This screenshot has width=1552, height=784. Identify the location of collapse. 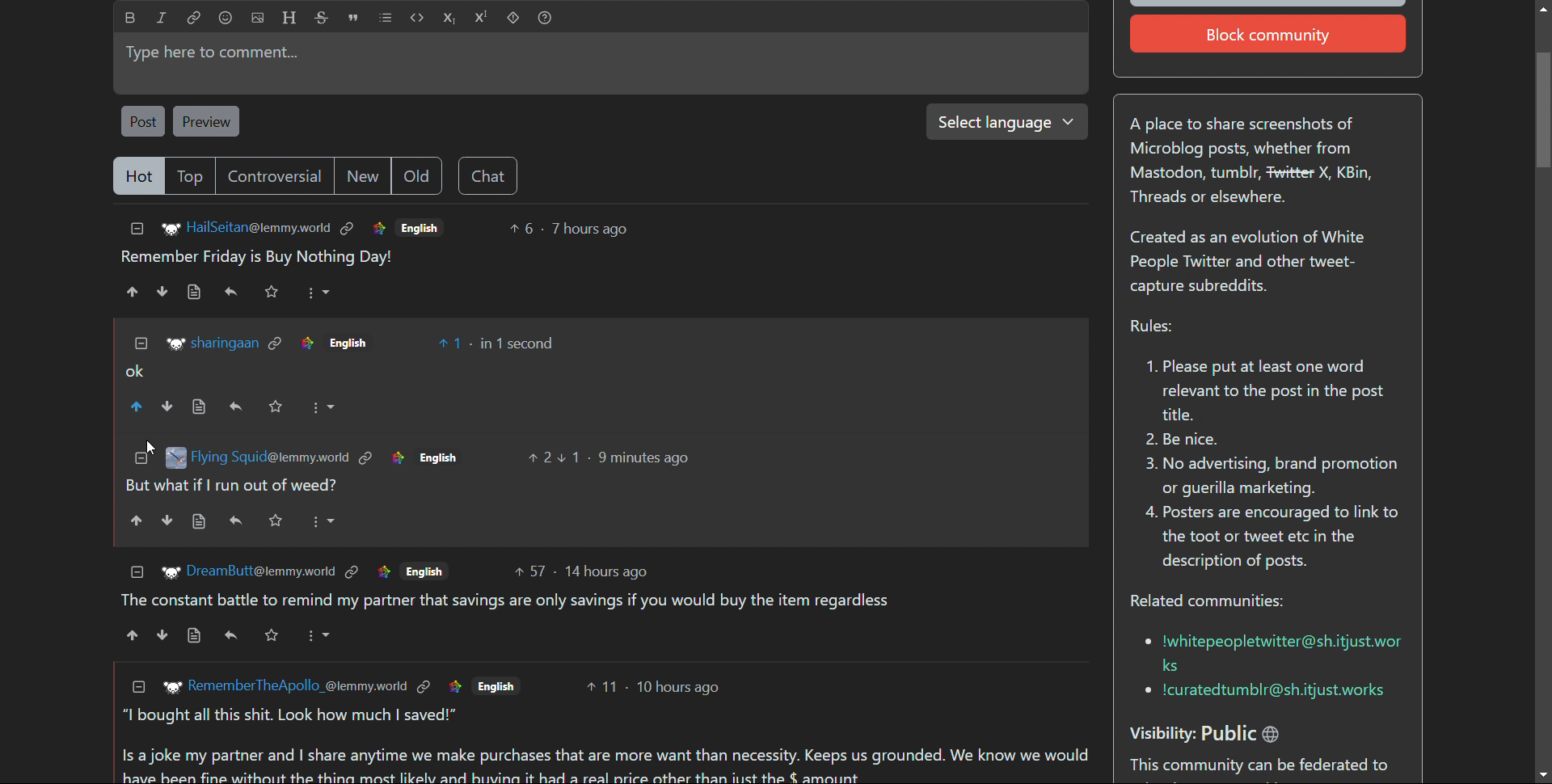
(141, 689).